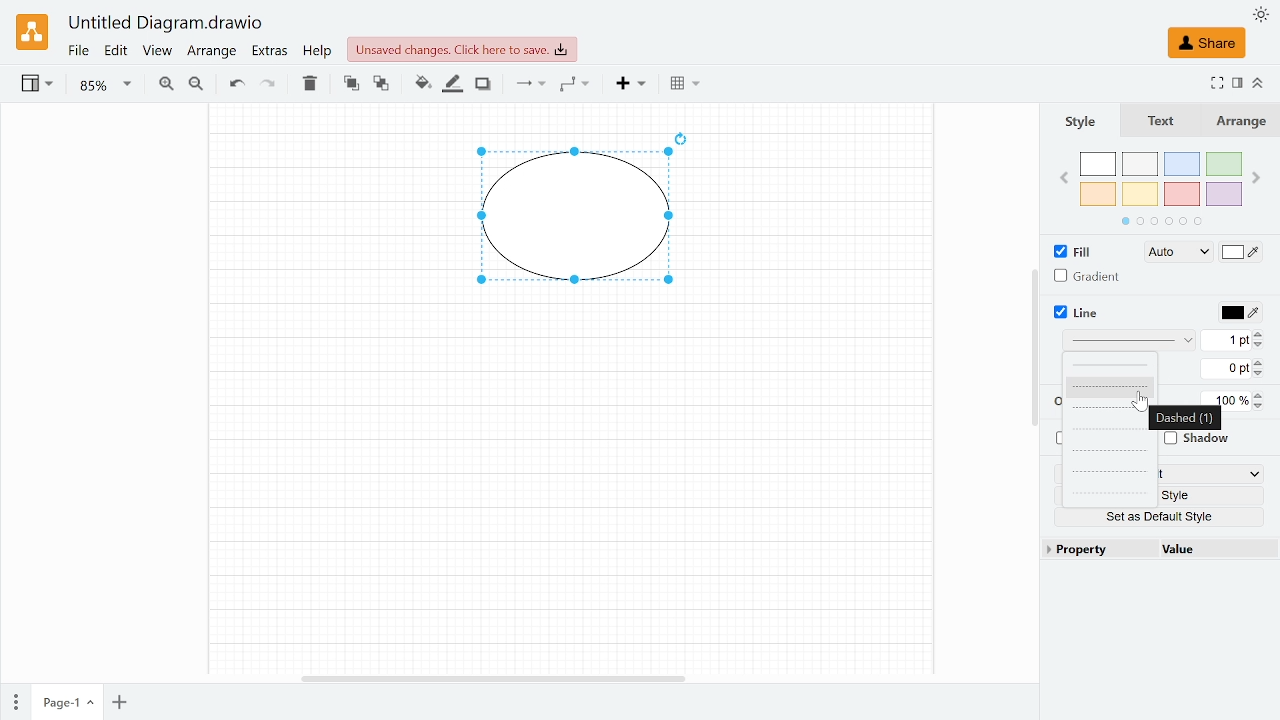 This screenshot has width=1280, height=720. I want to click on Solid, so click(1111, 366).